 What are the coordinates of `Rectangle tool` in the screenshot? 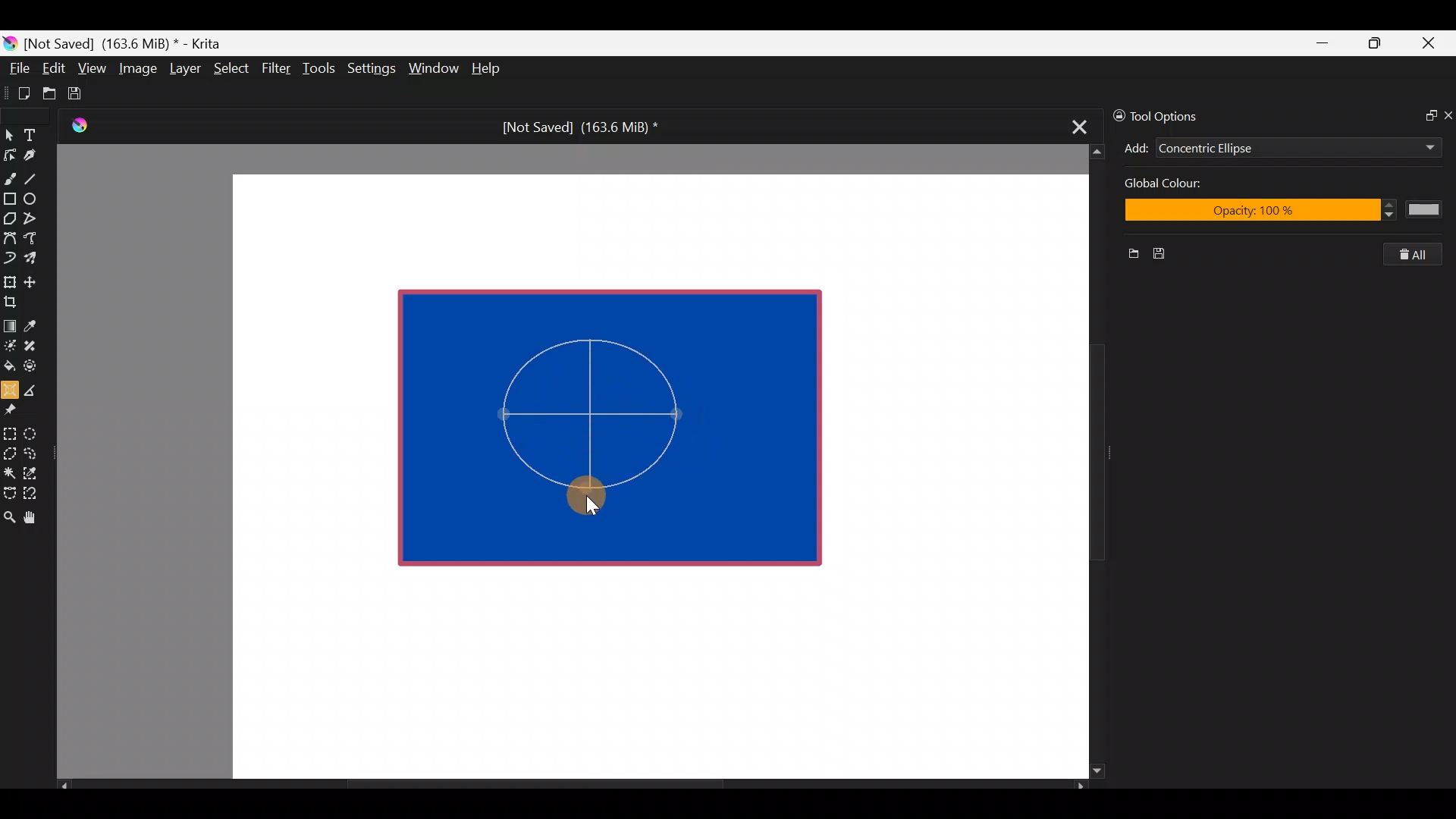 It's located at (10, 200).